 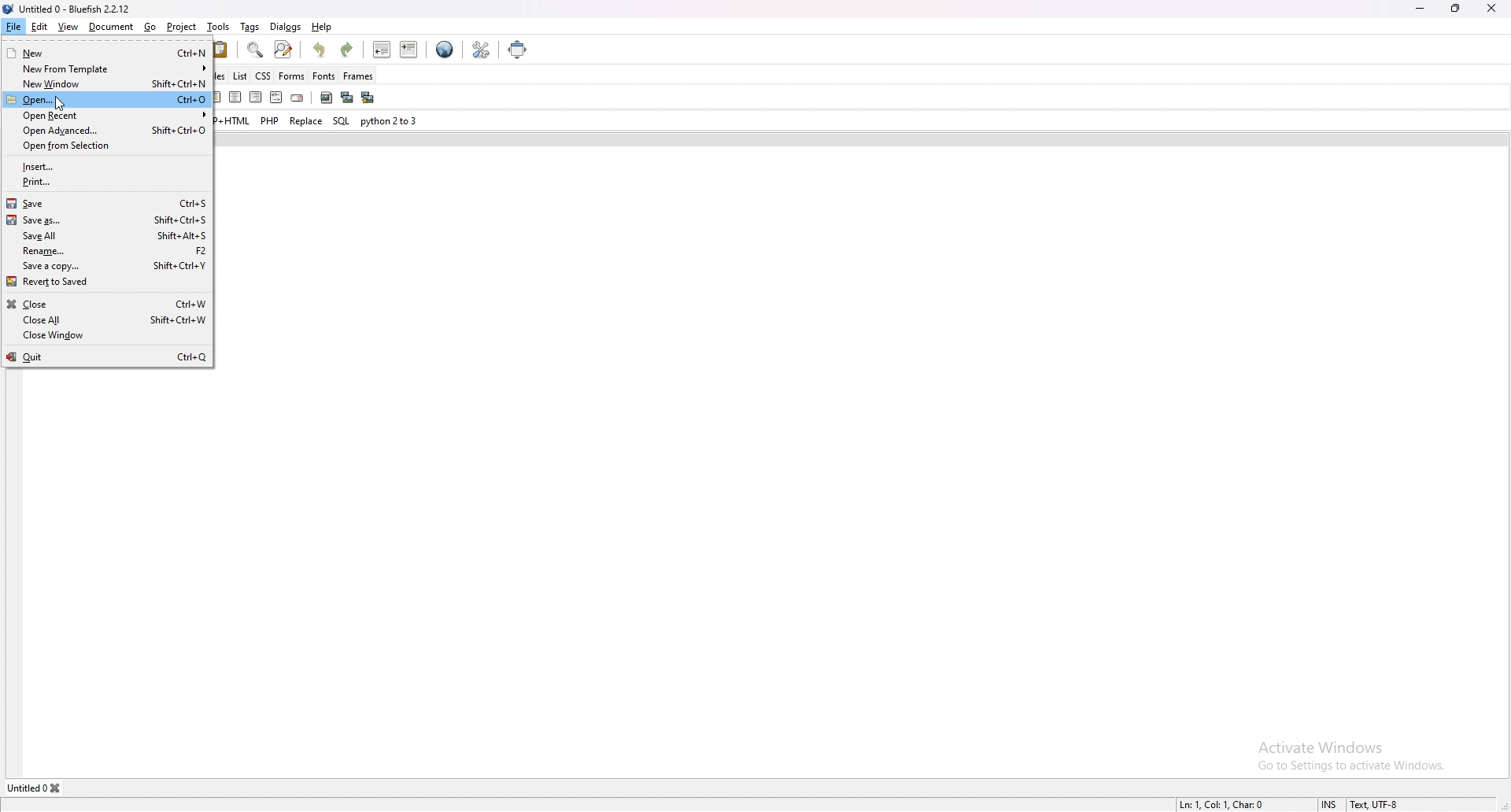 What do you see at coordinates (179, 131) in the screenshot?
I see `Shifts Ctrl+O` at bounding box center [179, 131].